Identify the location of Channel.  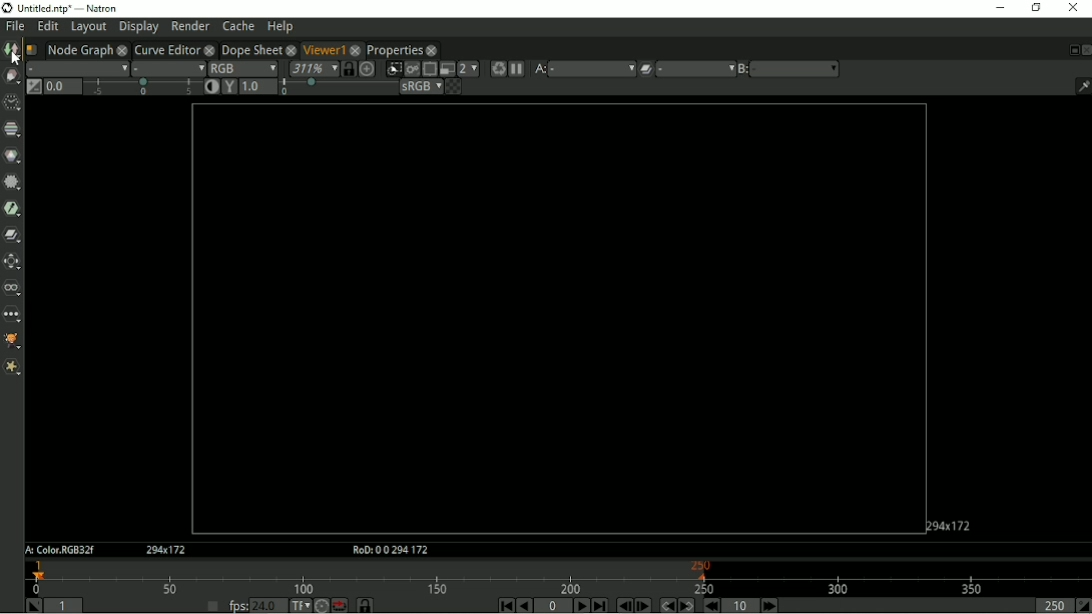
(12, 129).